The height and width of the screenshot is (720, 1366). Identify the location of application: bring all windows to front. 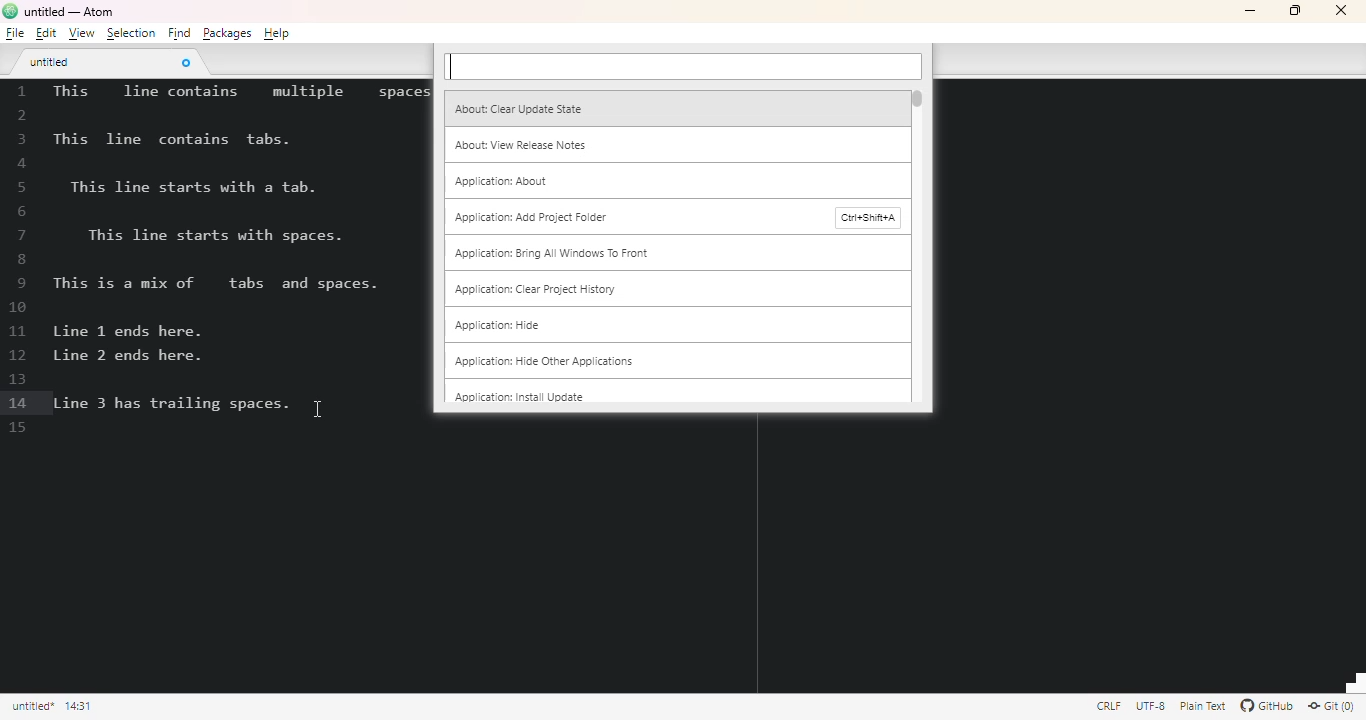
(552, 253).